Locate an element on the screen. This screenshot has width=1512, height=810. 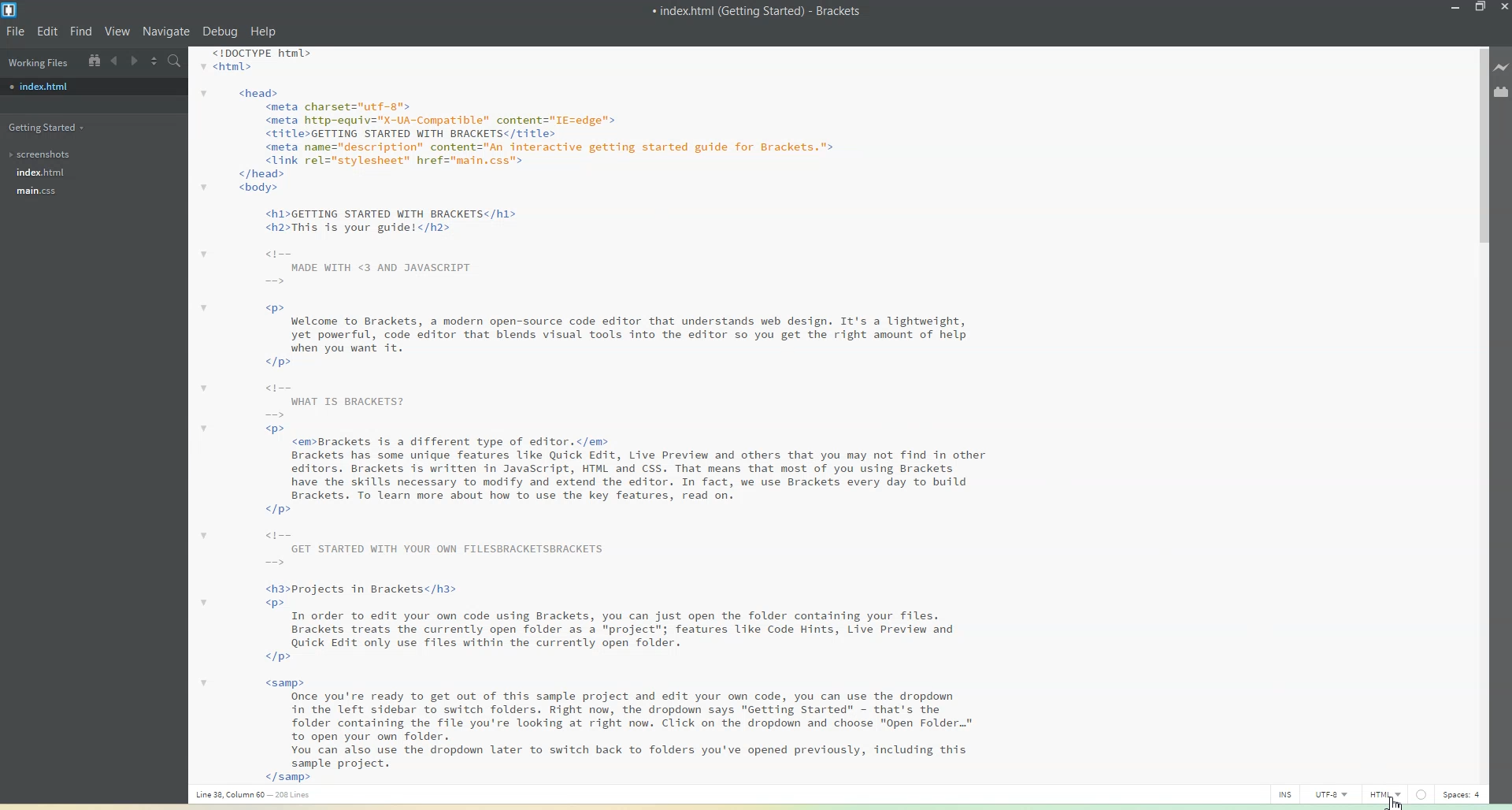
main.css is located at coordinates (43, 192).